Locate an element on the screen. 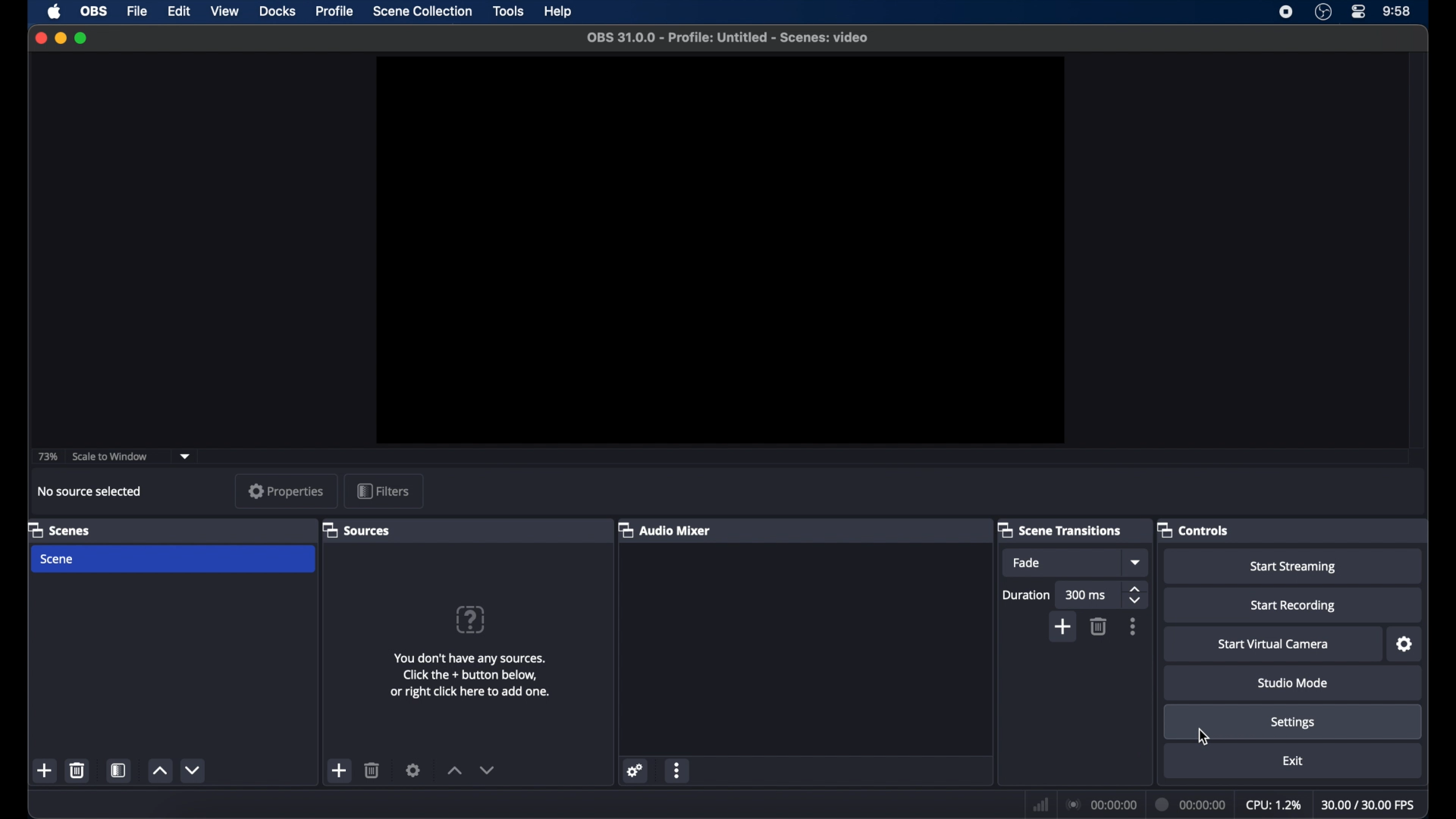 The width and height of the screenshot is (1456, 819). docks is located at coordinates (278, 11).